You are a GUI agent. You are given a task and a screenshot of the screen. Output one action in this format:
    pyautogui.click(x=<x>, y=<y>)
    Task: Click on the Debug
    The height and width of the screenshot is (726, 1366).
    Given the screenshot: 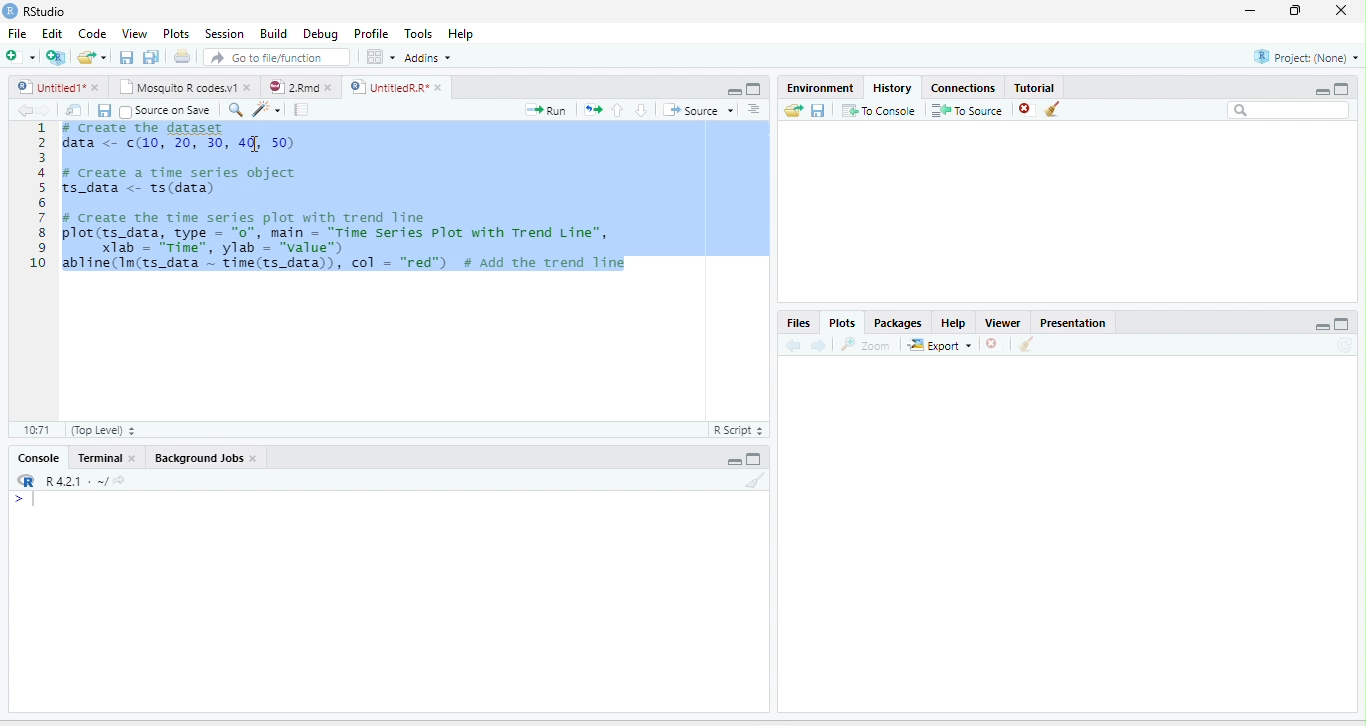 What is the action you would take?
    pyautogui.click(x=320, y=34)
    